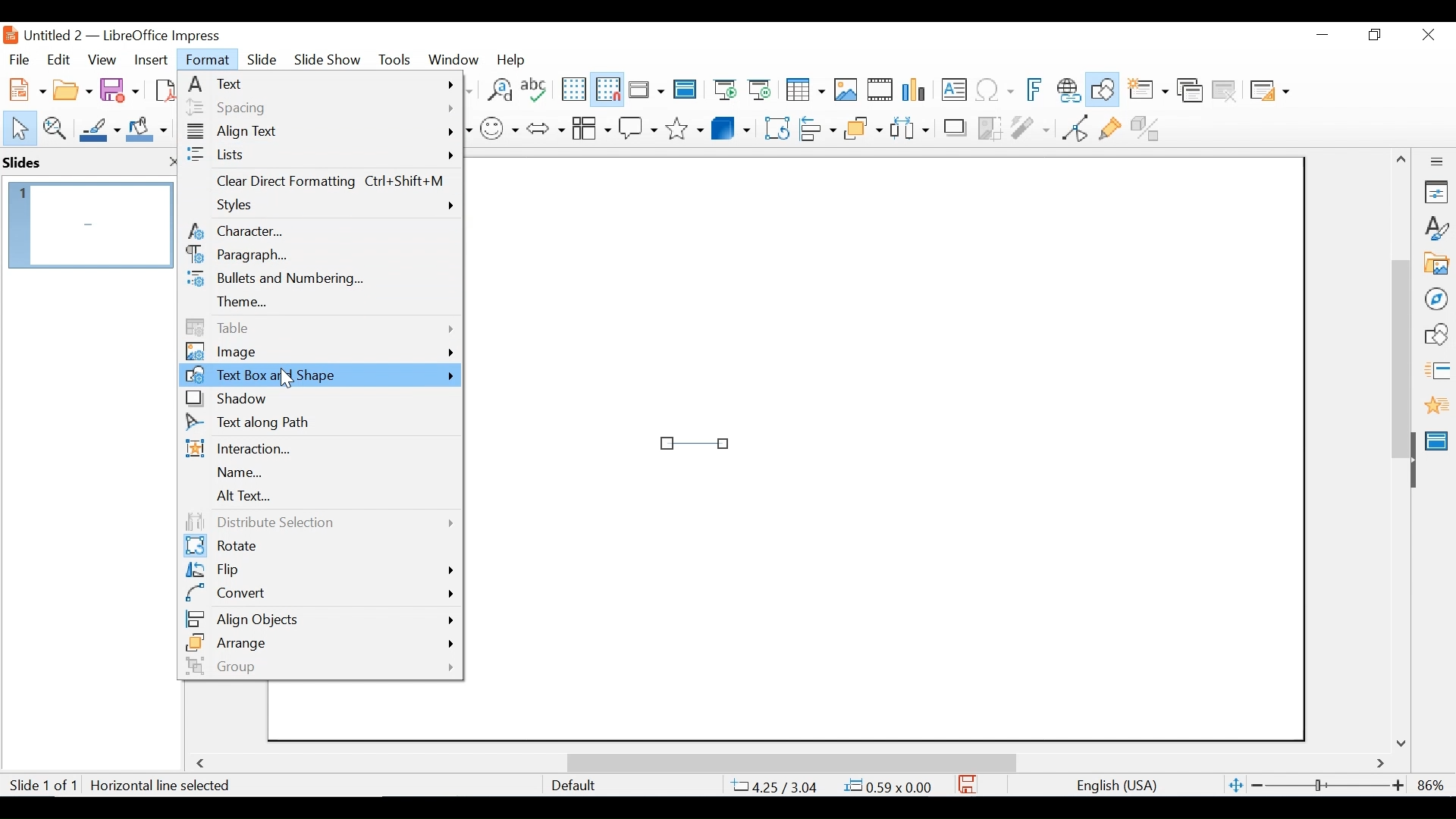 Image resolution: width=1456 pixels, height=819 pixels. What do you see at coordinates (102, 59) in the screenshot?
I see `View` at bounding box center [102, 59].